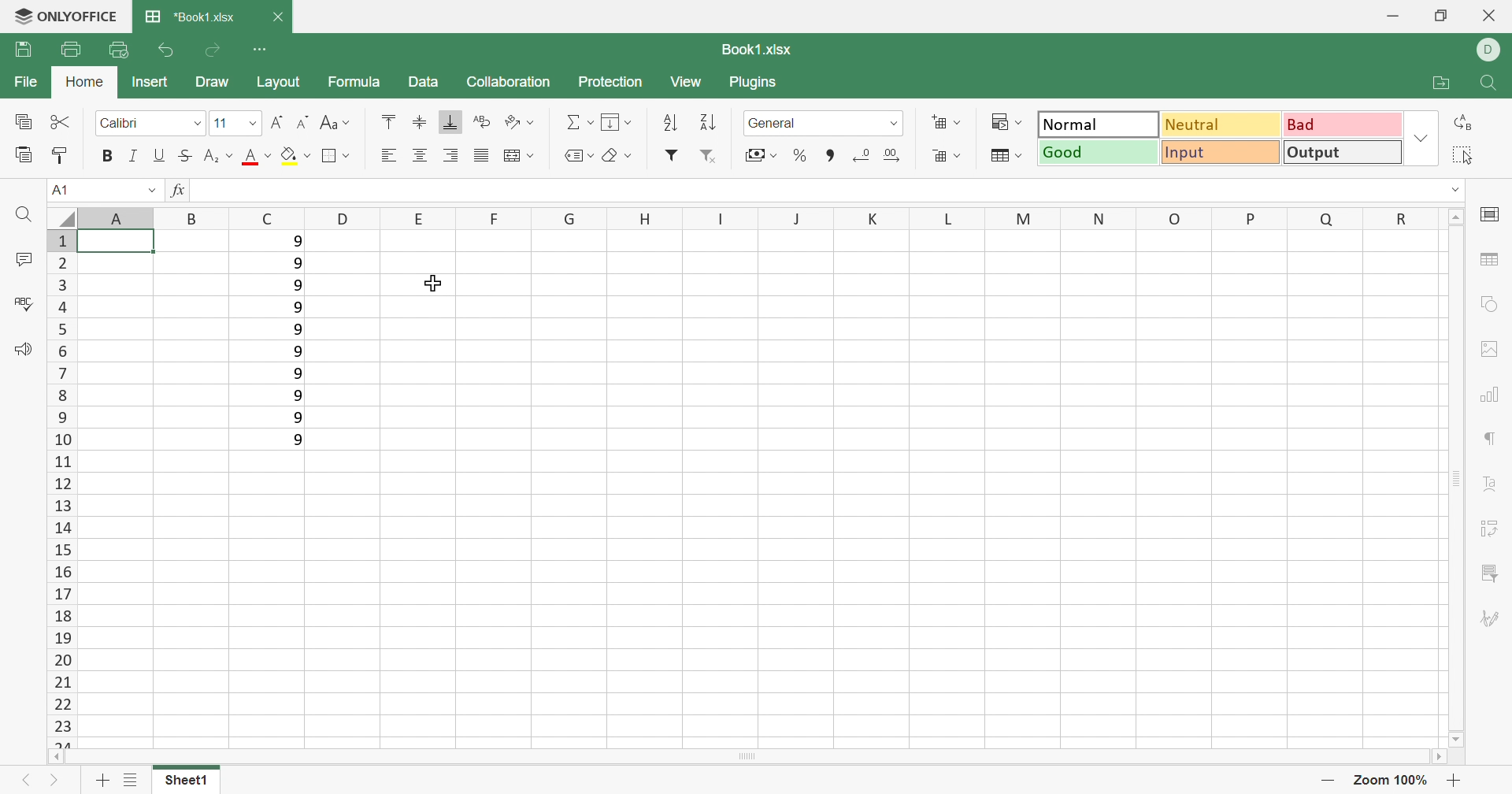 The image size is (1512, 794). Describe the element at coordinates (61, 118) in the screenshot. I see `Cut` at that location.